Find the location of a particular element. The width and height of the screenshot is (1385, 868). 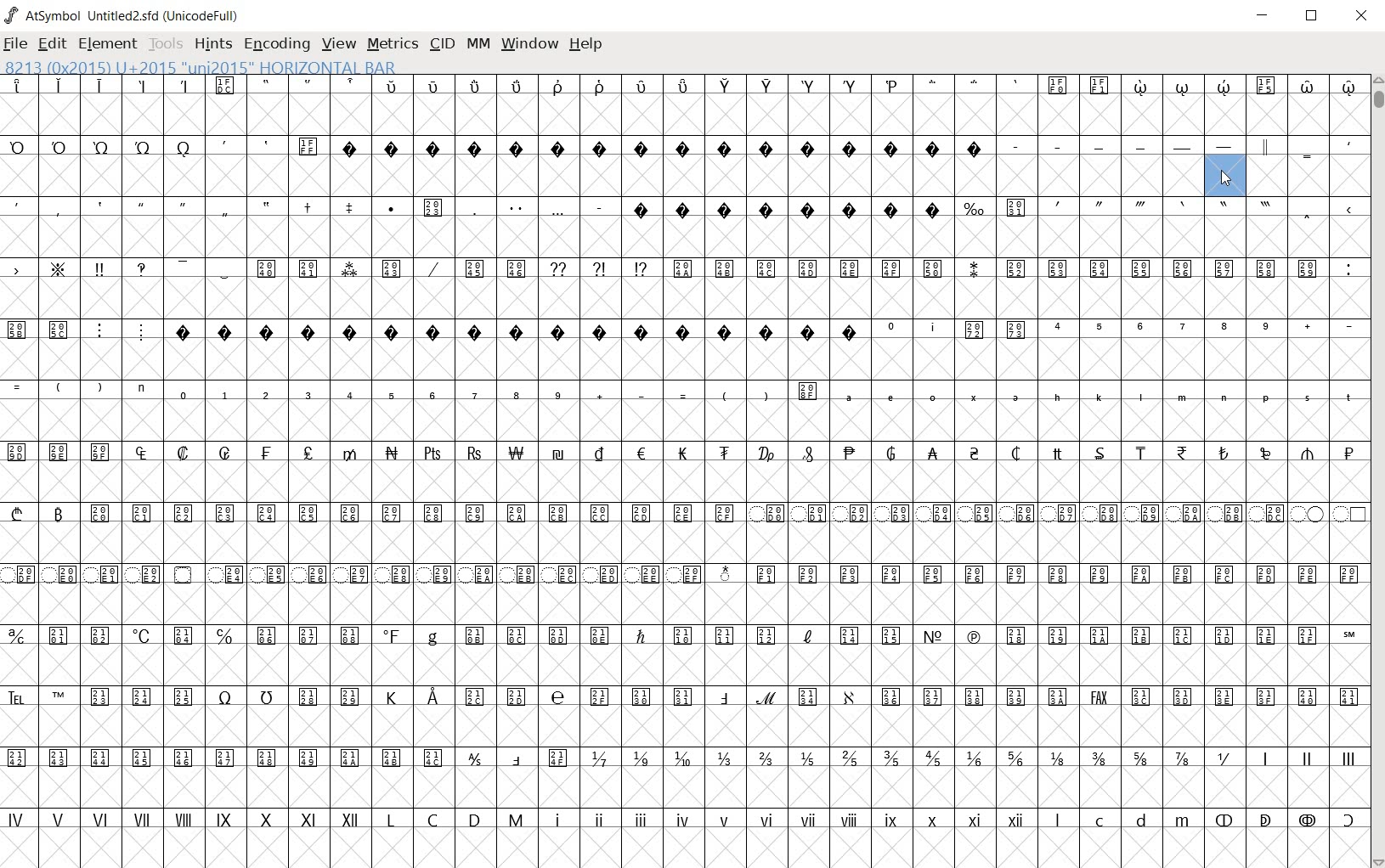

8213 (0x2015) U+2015 "uni2015" HORIZONTAL BAR is located at coordinates (199, 67).